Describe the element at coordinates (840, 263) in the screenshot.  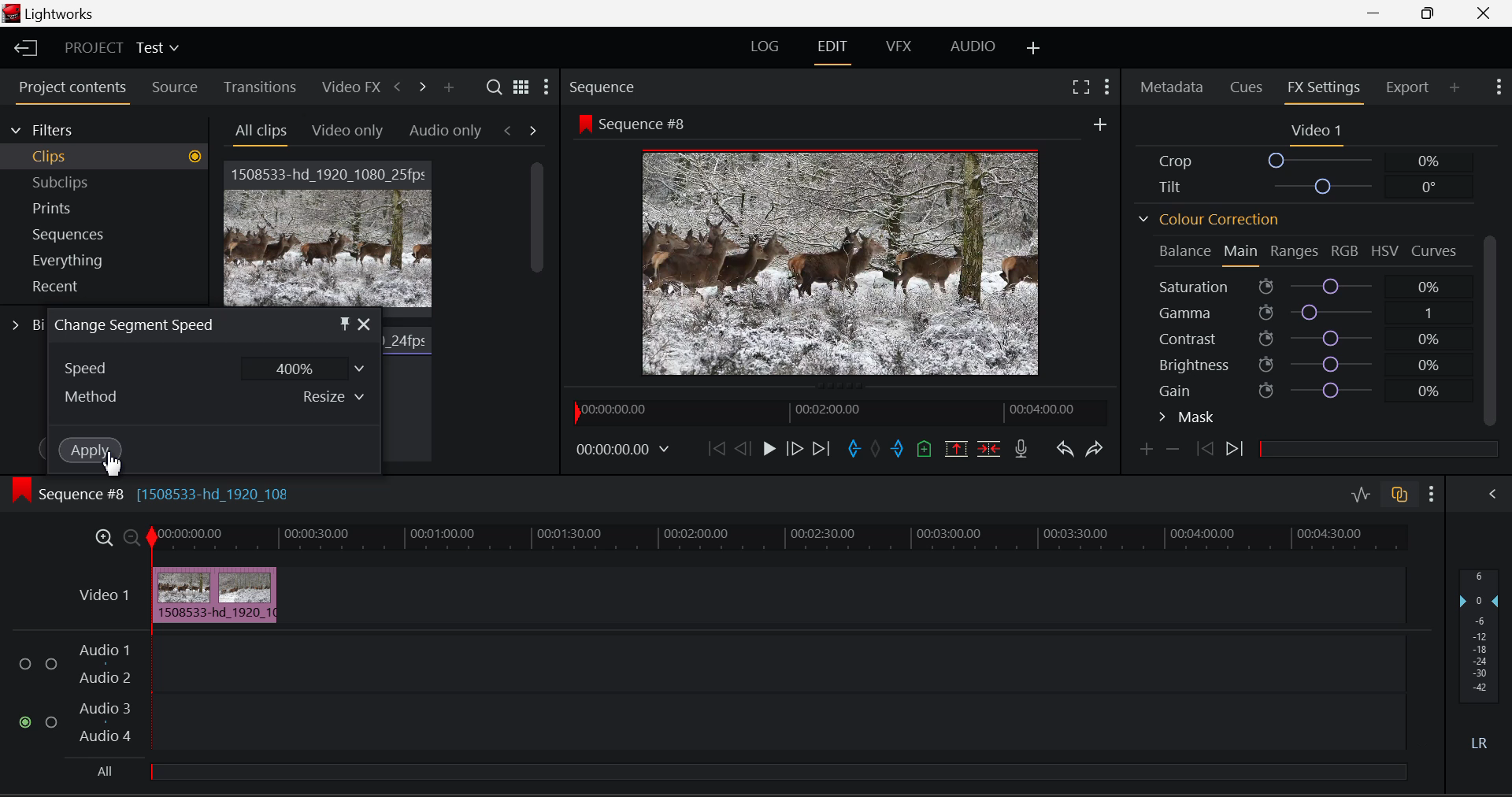
I see `Sequence #8 Video Preview` at that location.